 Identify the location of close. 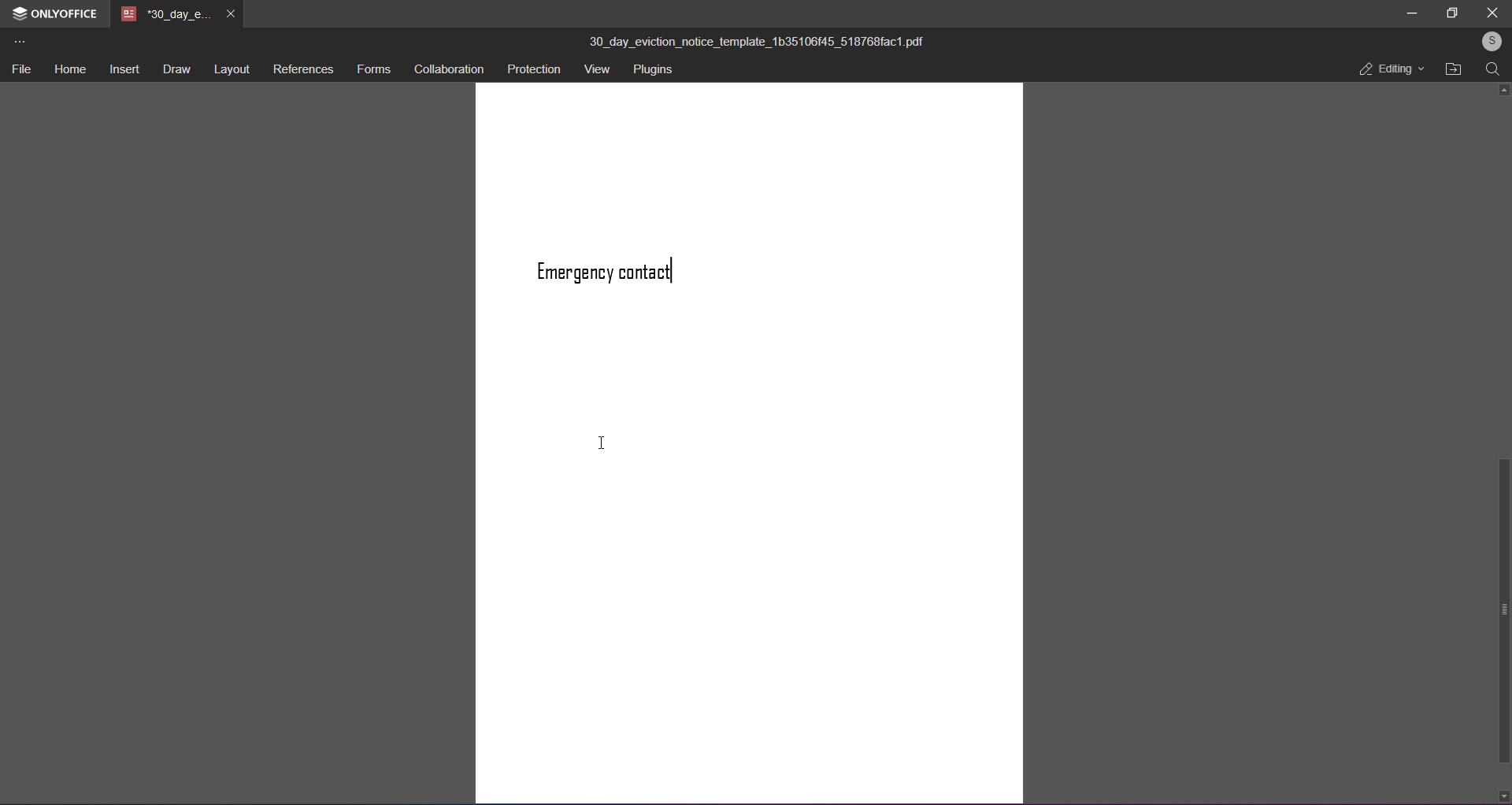
(1492, 13).